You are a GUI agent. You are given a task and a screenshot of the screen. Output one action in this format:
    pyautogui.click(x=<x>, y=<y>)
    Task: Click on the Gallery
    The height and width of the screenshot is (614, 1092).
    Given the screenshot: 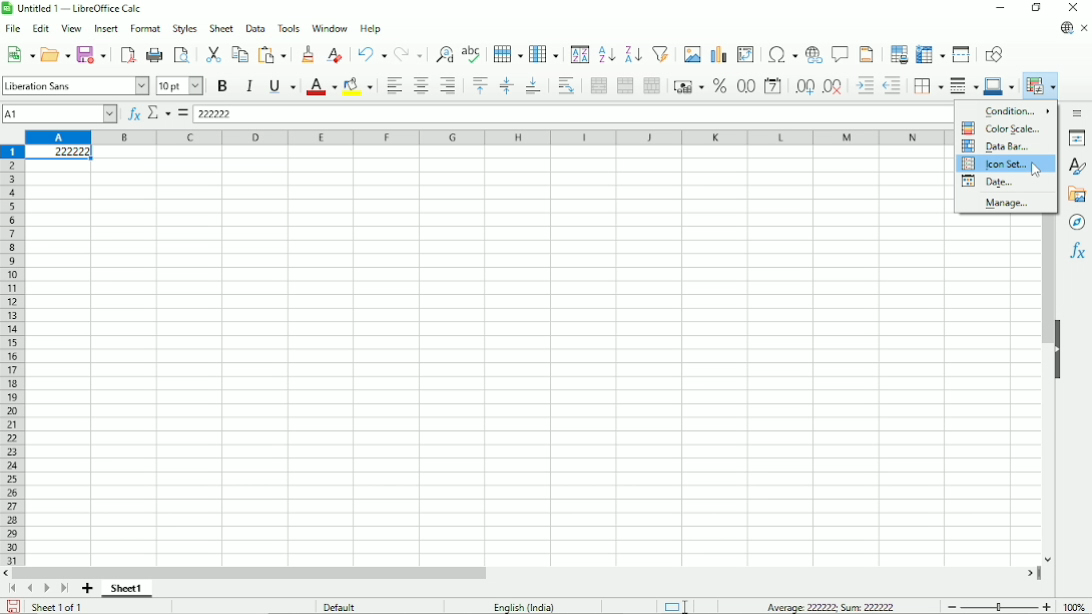 What is the action you would take?
    pyautogui.click(x=1077, y=194)
    